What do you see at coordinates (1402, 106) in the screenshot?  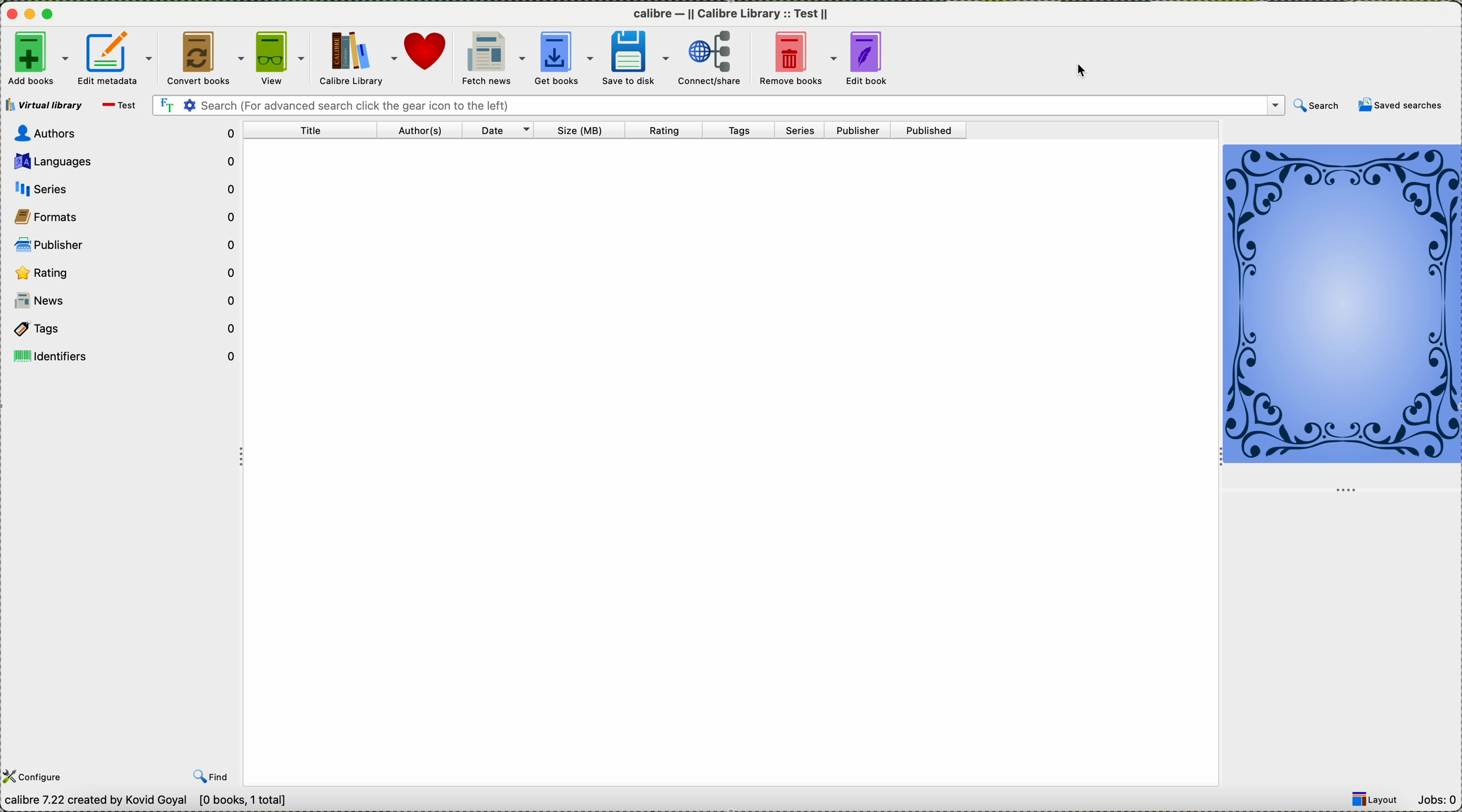 I see `saved searches` at bounding box center [1402, 106].